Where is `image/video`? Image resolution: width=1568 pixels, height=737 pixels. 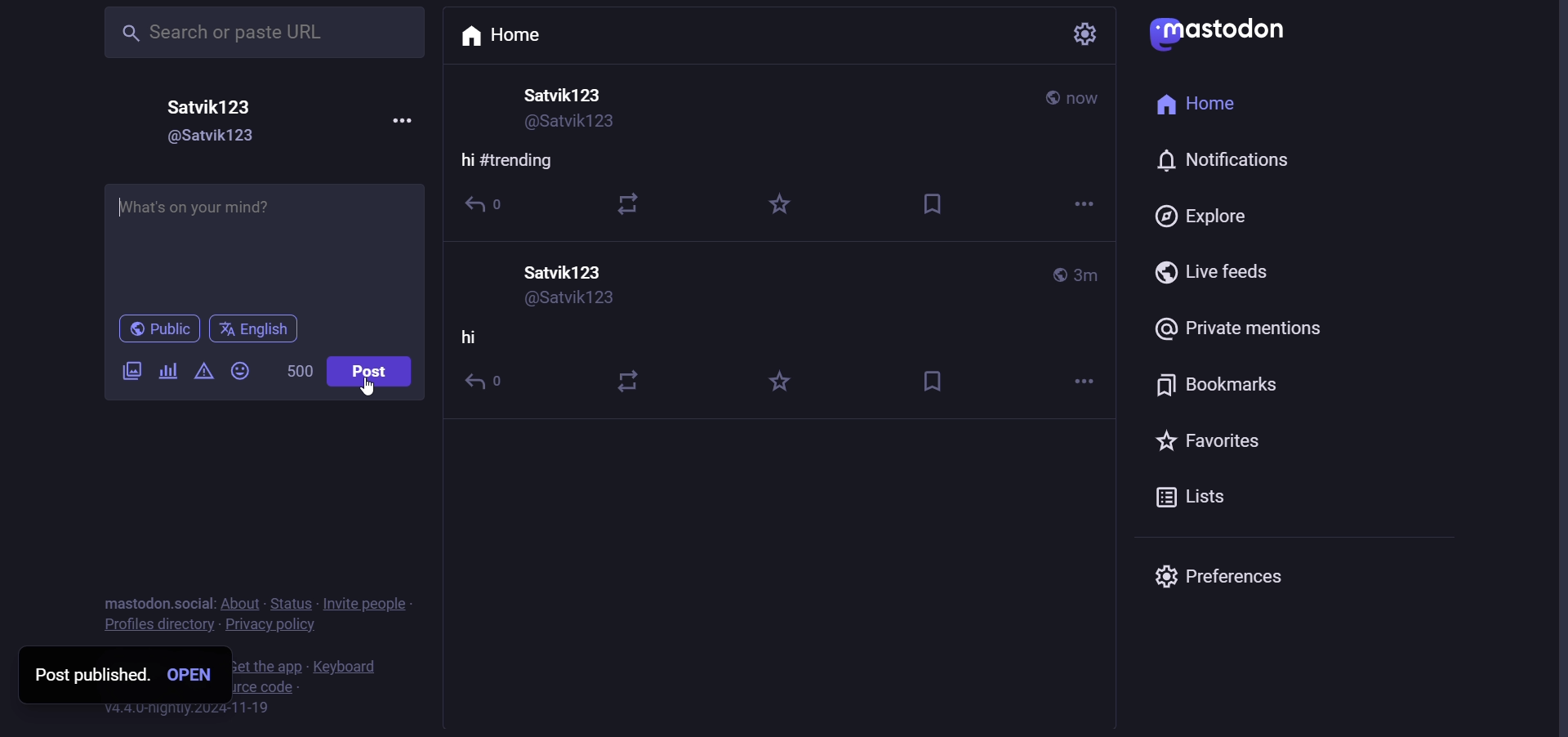
image/video is located at coordinates (132, 371).